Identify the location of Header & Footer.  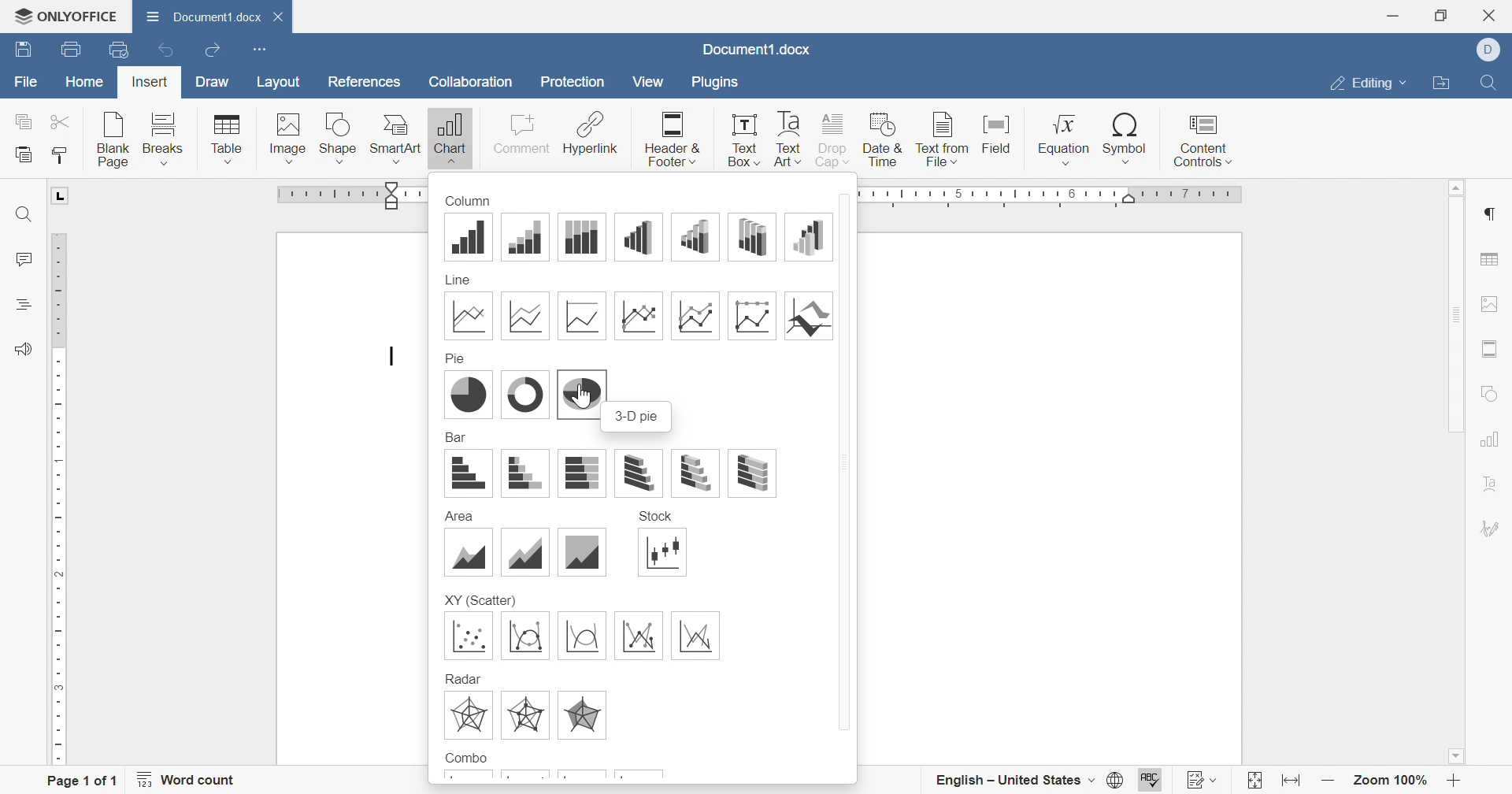
(674, 137).